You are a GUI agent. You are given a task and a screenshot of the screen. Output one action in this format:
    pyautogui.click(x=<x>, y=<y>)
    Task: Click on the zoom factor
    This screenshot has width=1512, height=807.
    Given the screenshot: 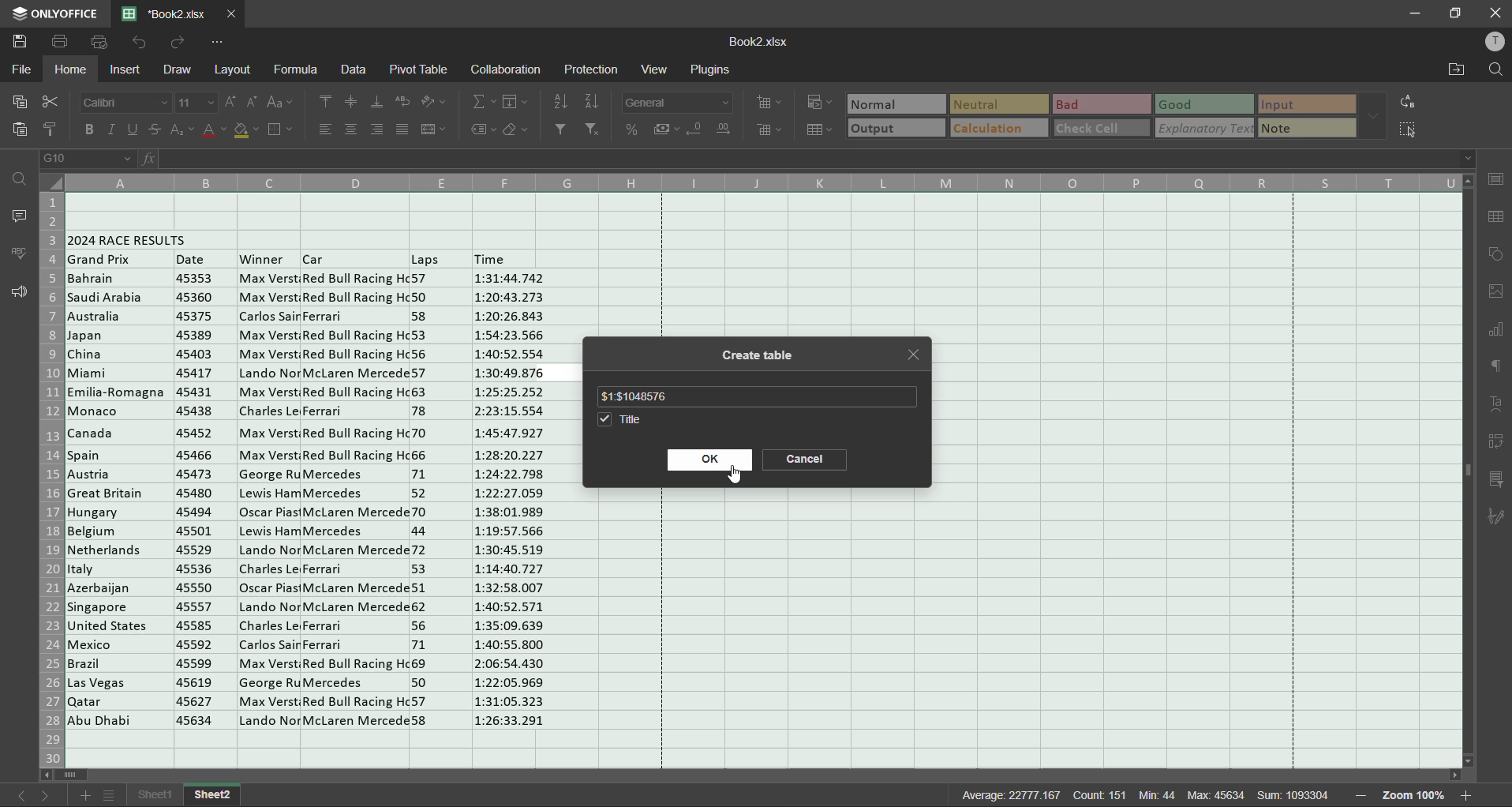 What is the action you would take?
    pyautogui.click(x=1415, y=795)
    